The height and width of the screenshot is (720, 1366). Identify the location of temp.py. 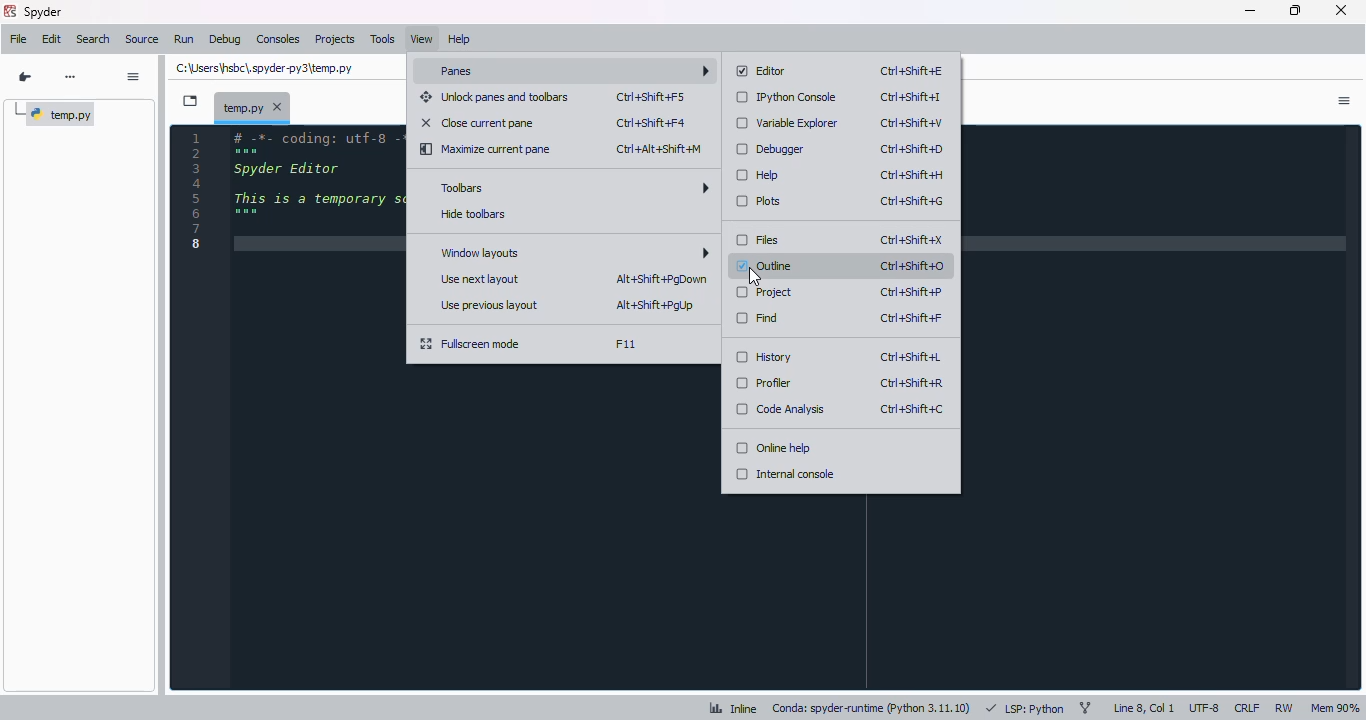
(55, 115).